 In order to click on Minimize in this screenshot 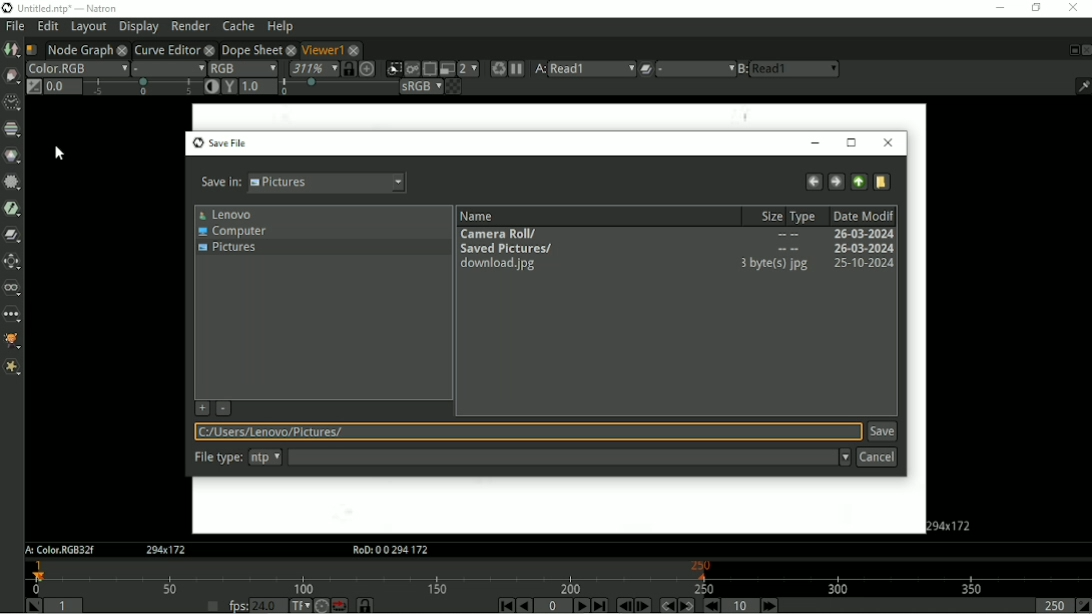, I will do `click(1000, 8)`.